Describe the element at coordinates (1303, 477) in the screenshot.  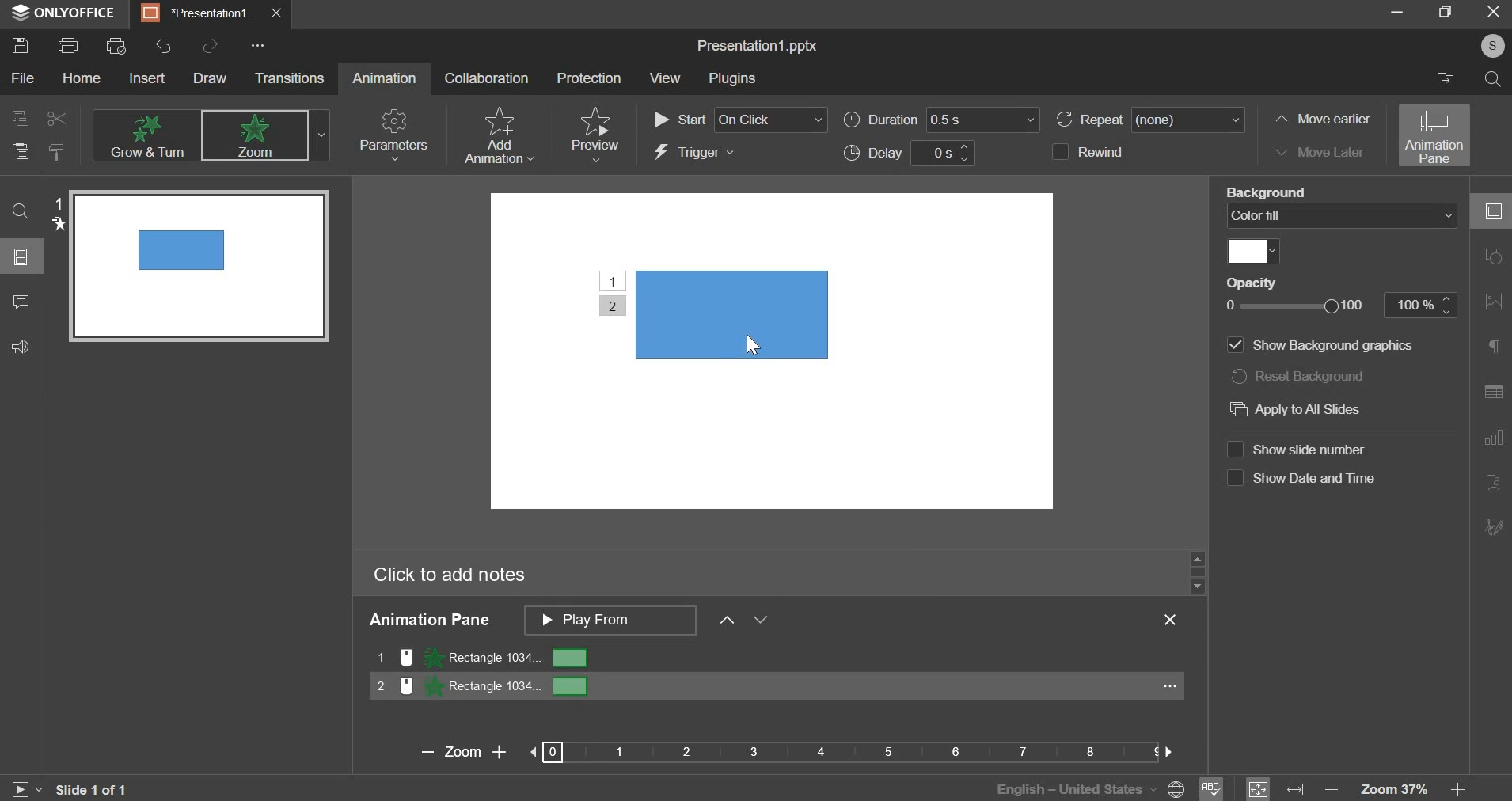
I see `Show date and time` at that location.